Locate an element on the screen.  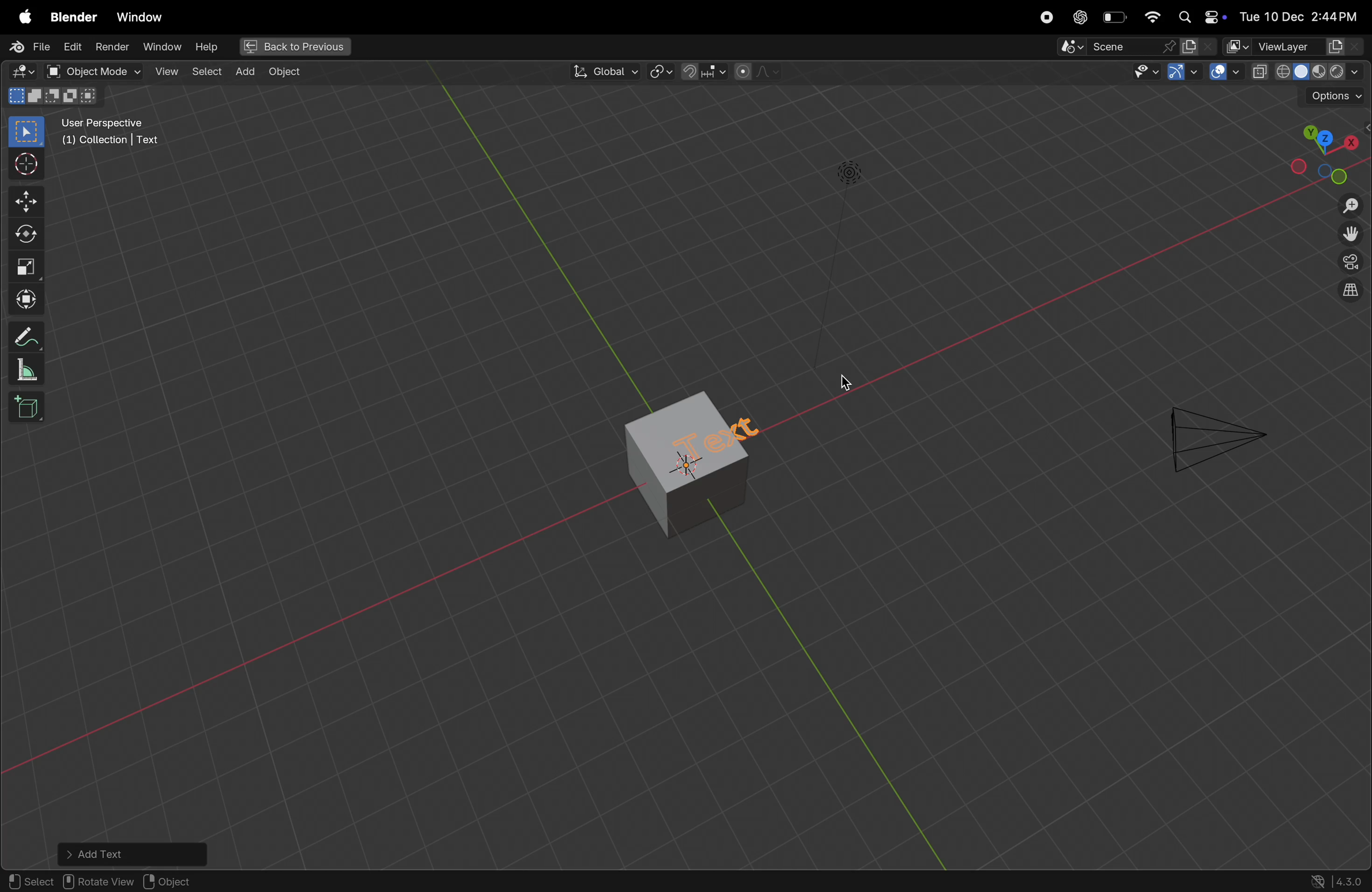
 is located at coordinates (1225, 72).